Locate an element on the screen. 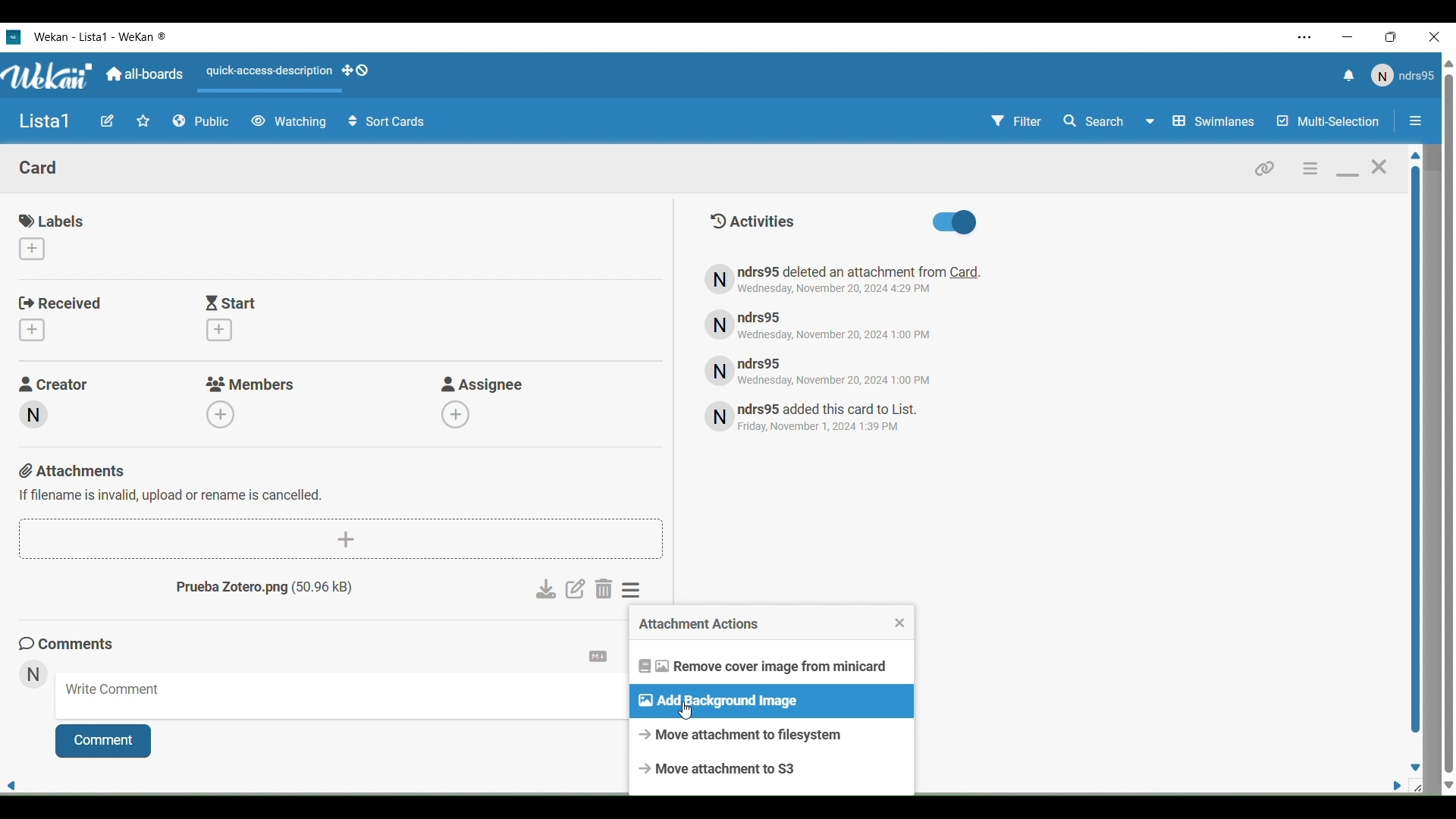  Add received is located at coordinates (31, 330).